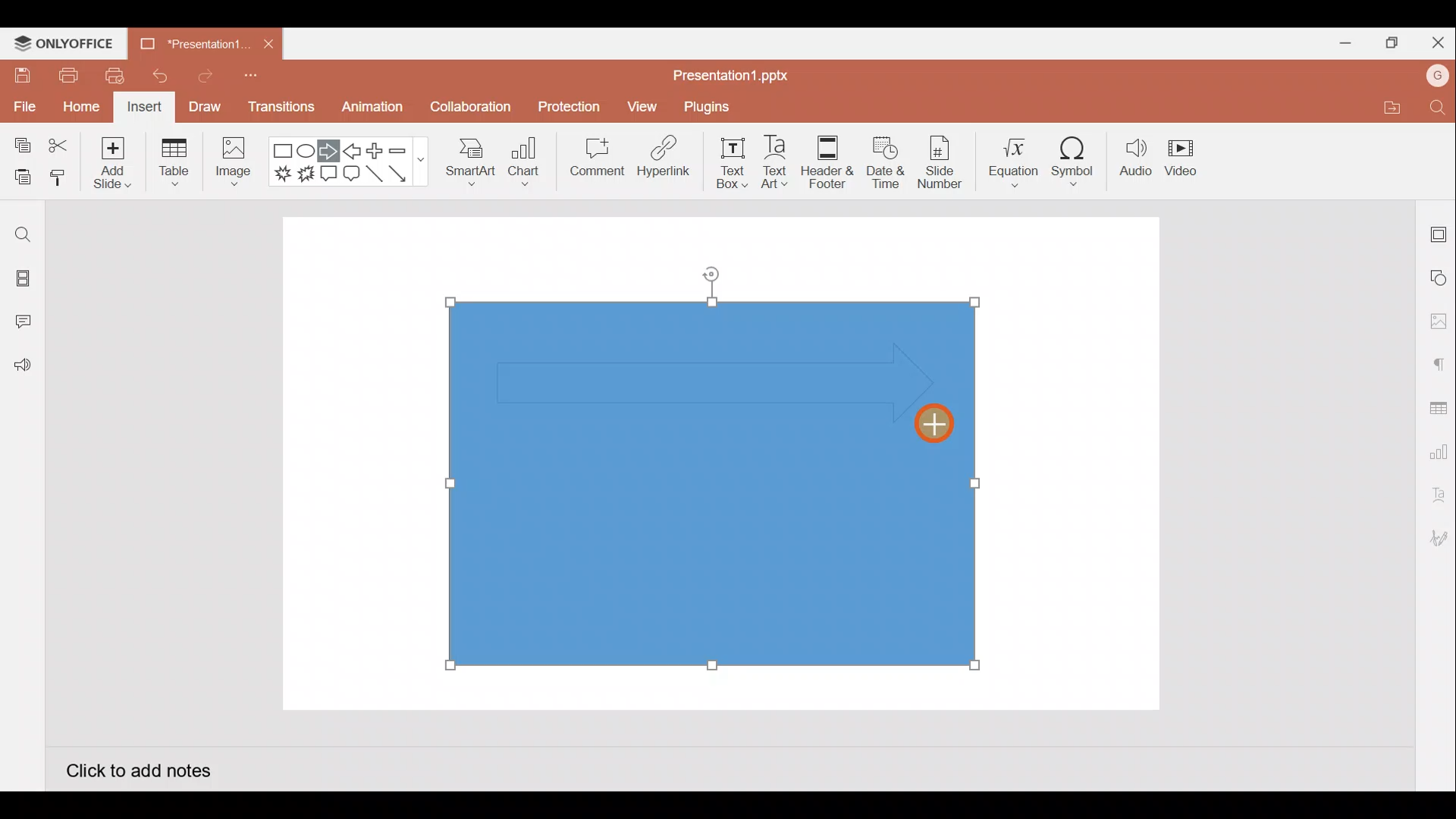 This screenshot has height=819, width=1456. What do you see at coordinates (306, 175) in the screenshot?
I see `Explosion 2` at bounding box center [306, 175].